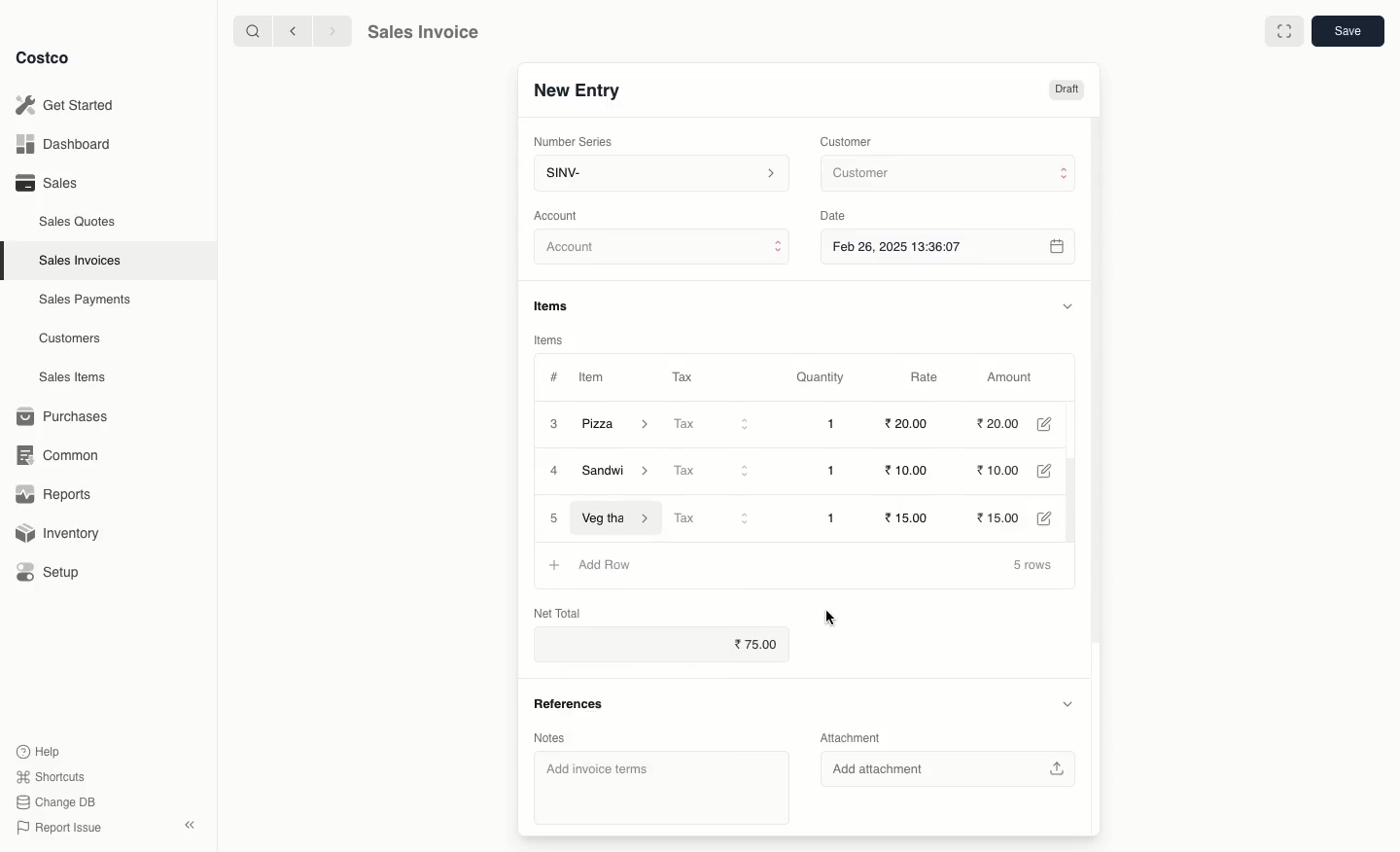  What do you see at coordinates (70, 337) in the screenshot?
I see `Customers` at bounding box center [70, 337].